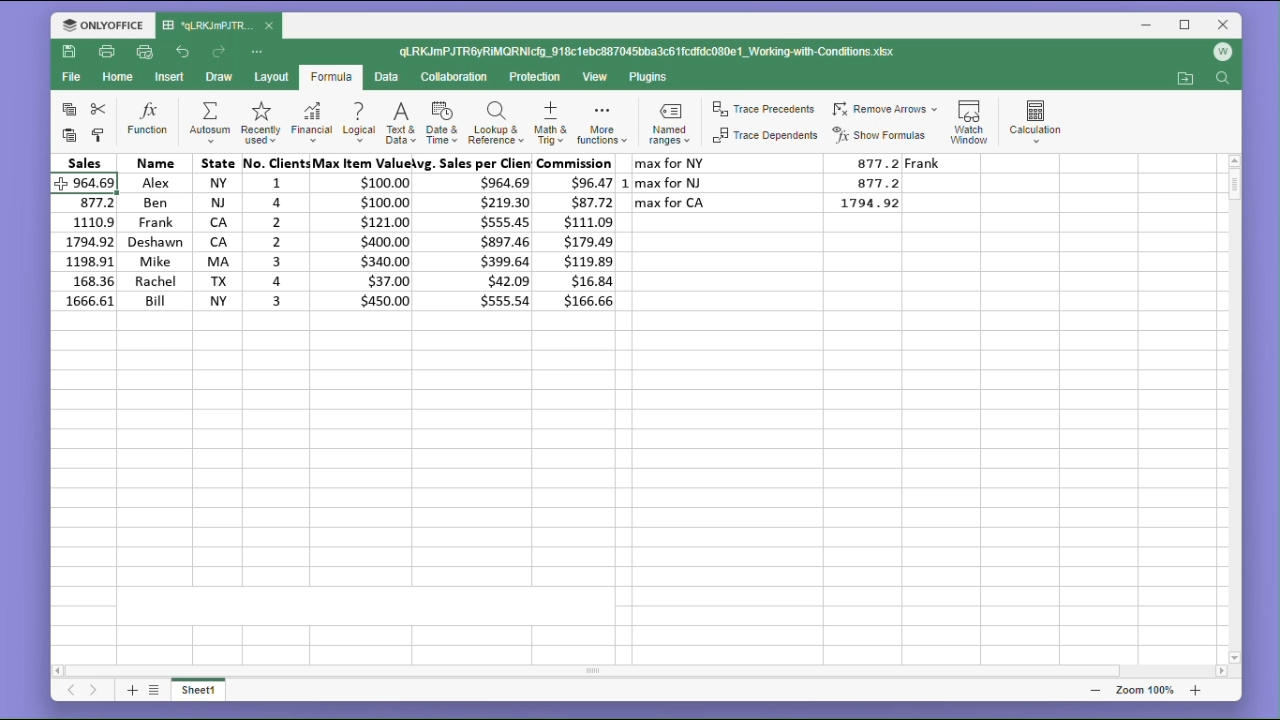  Describe the element at coordinates (120, 82) in the screenshot. I see `home` at that location.